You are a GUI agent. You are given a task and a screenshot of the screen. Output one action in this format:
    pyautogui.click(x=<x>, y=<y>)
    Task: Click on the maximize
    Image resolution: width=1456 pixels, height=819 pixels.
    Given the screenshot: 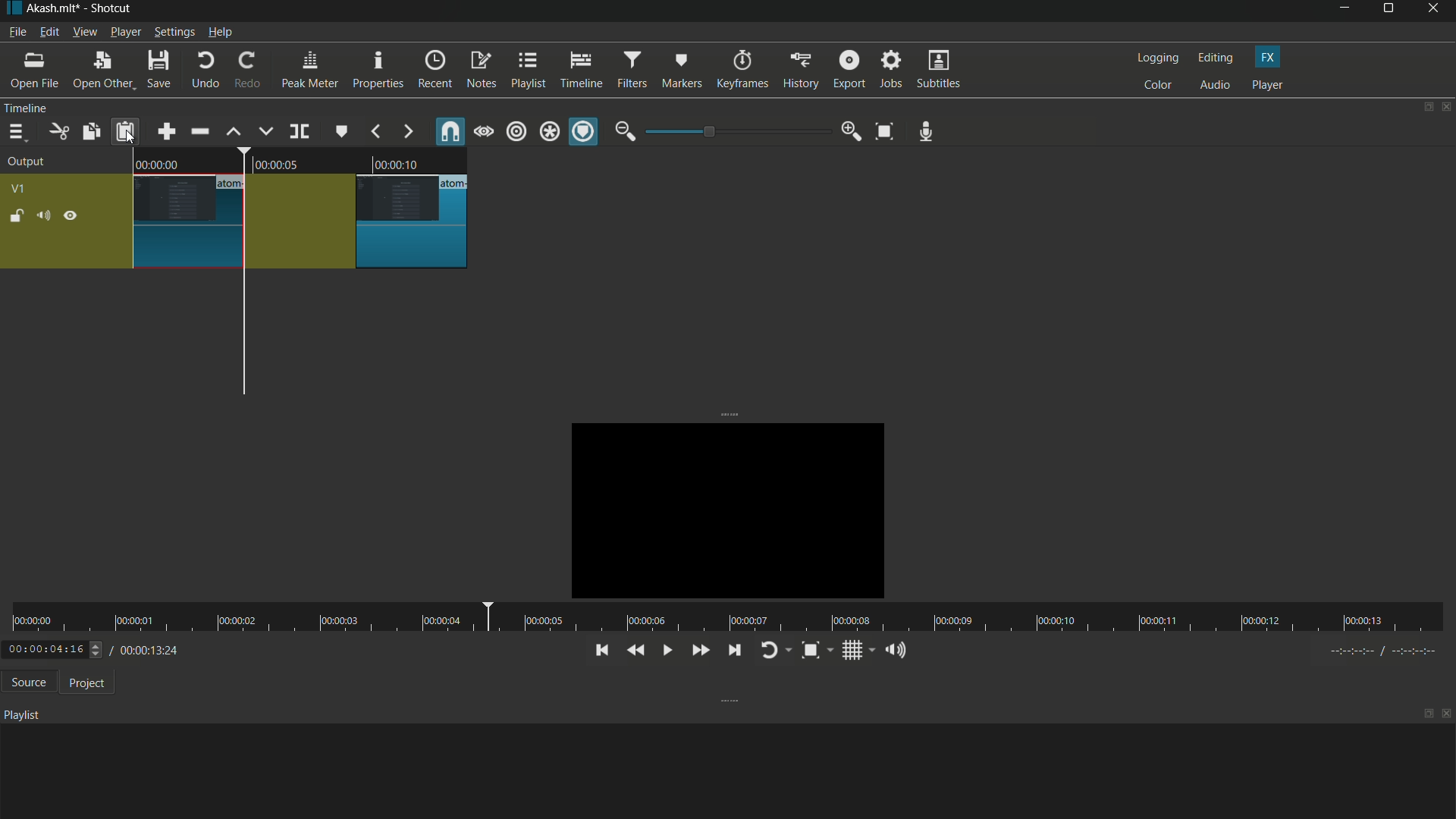 What is the action you would take?
    pyautogui.click(x=1428, y=714)
    